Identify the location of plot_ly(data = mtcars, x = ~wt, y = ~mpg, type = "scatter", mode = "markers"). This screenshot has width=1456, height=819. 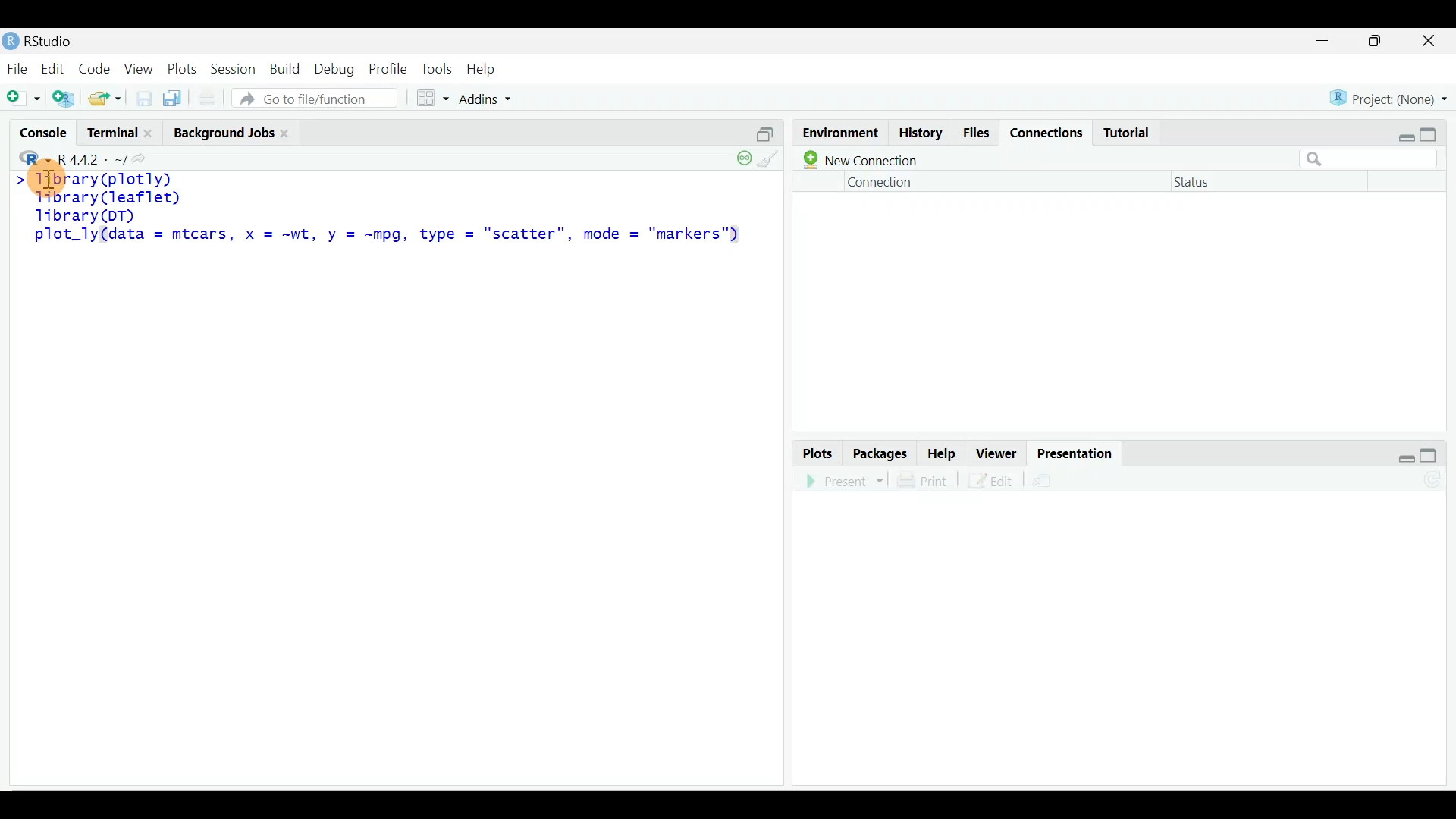
(381, 237).